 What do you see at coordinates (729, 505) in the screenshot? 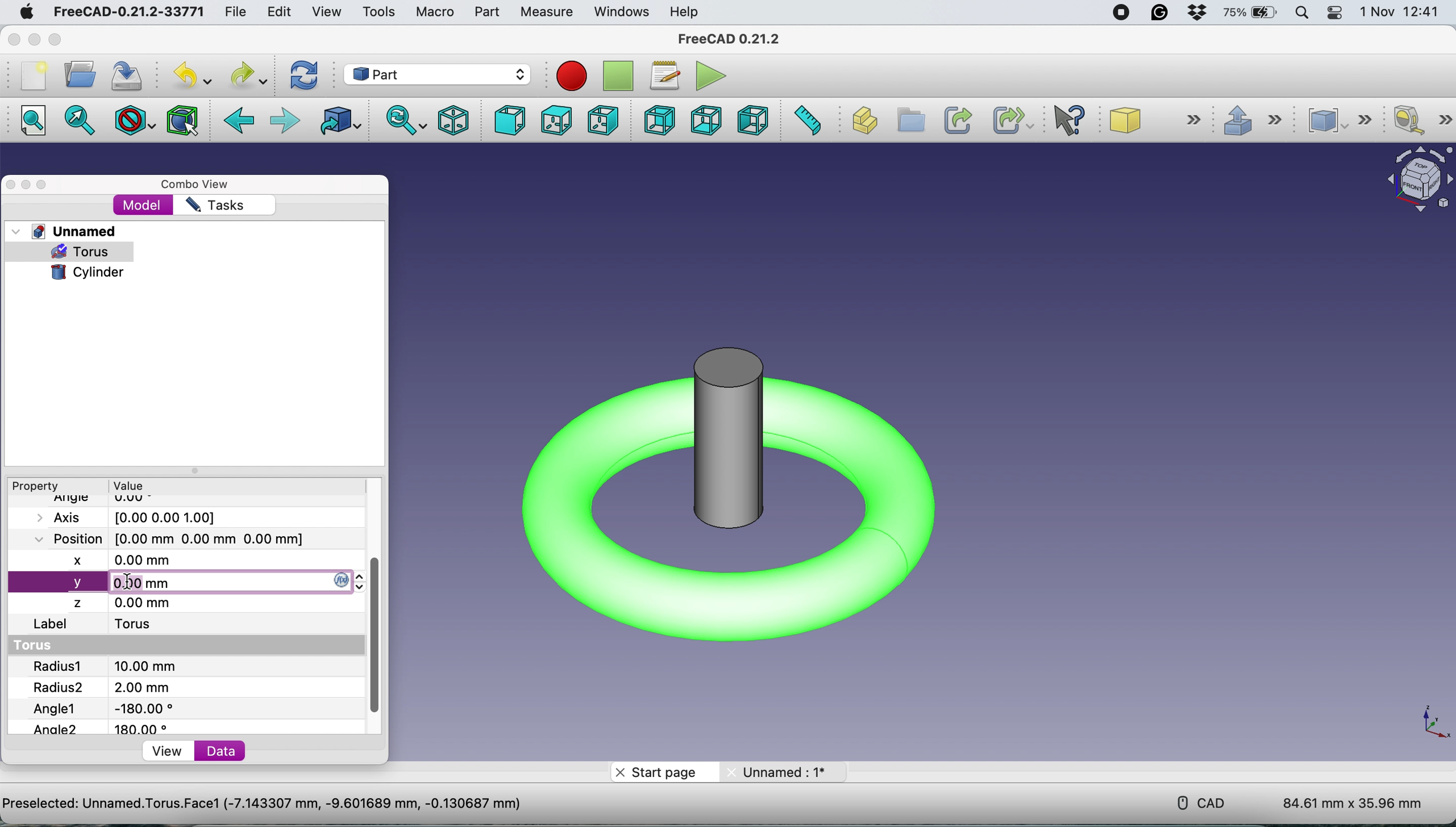
I see `Cylinder inside torus` at bounding box center [729, 505].